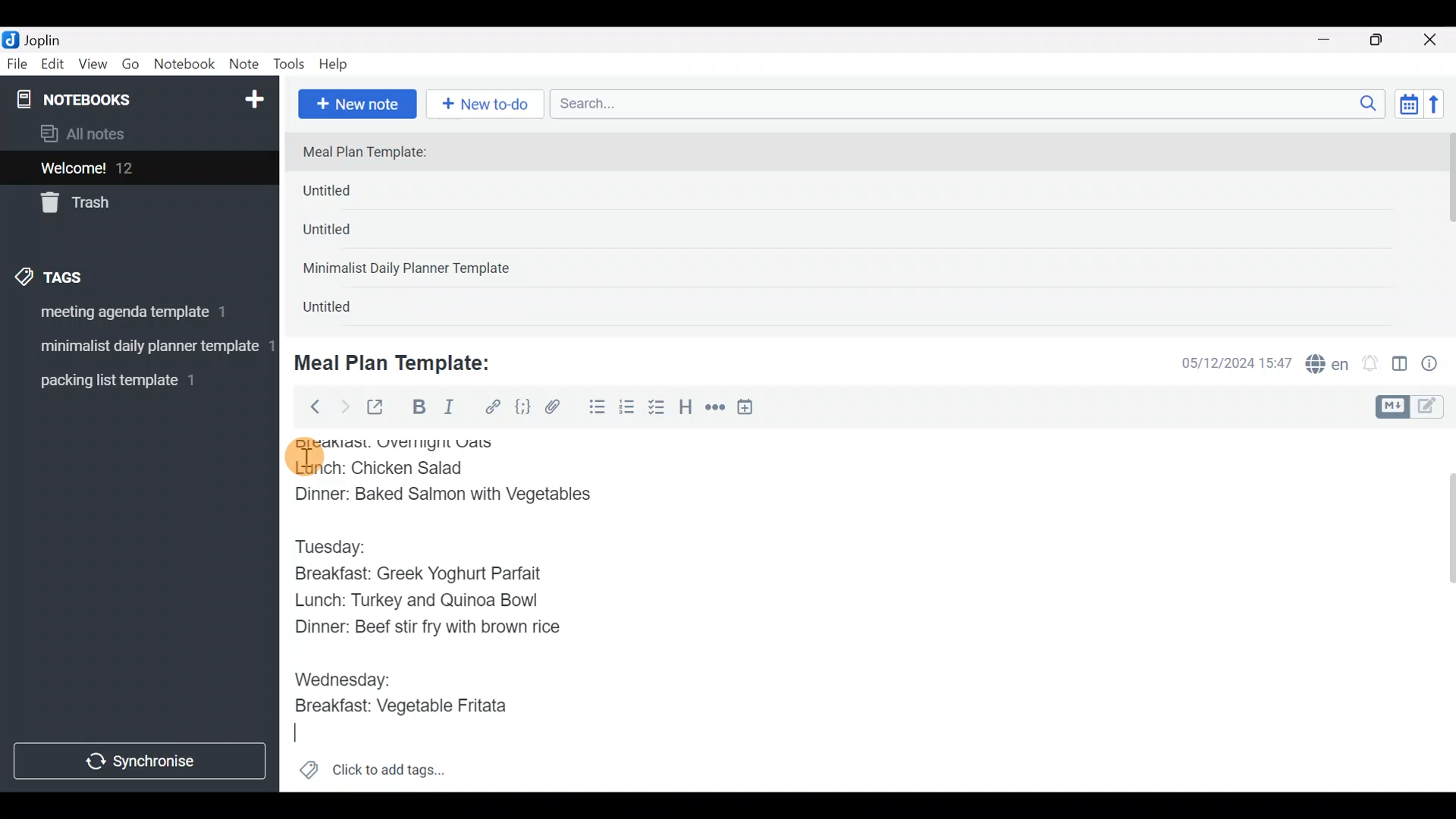 This screenshot has height=819, width=1456. Describe the element at coordinates (135, 316) in the screenshot. I see `Tag 1` at that location.